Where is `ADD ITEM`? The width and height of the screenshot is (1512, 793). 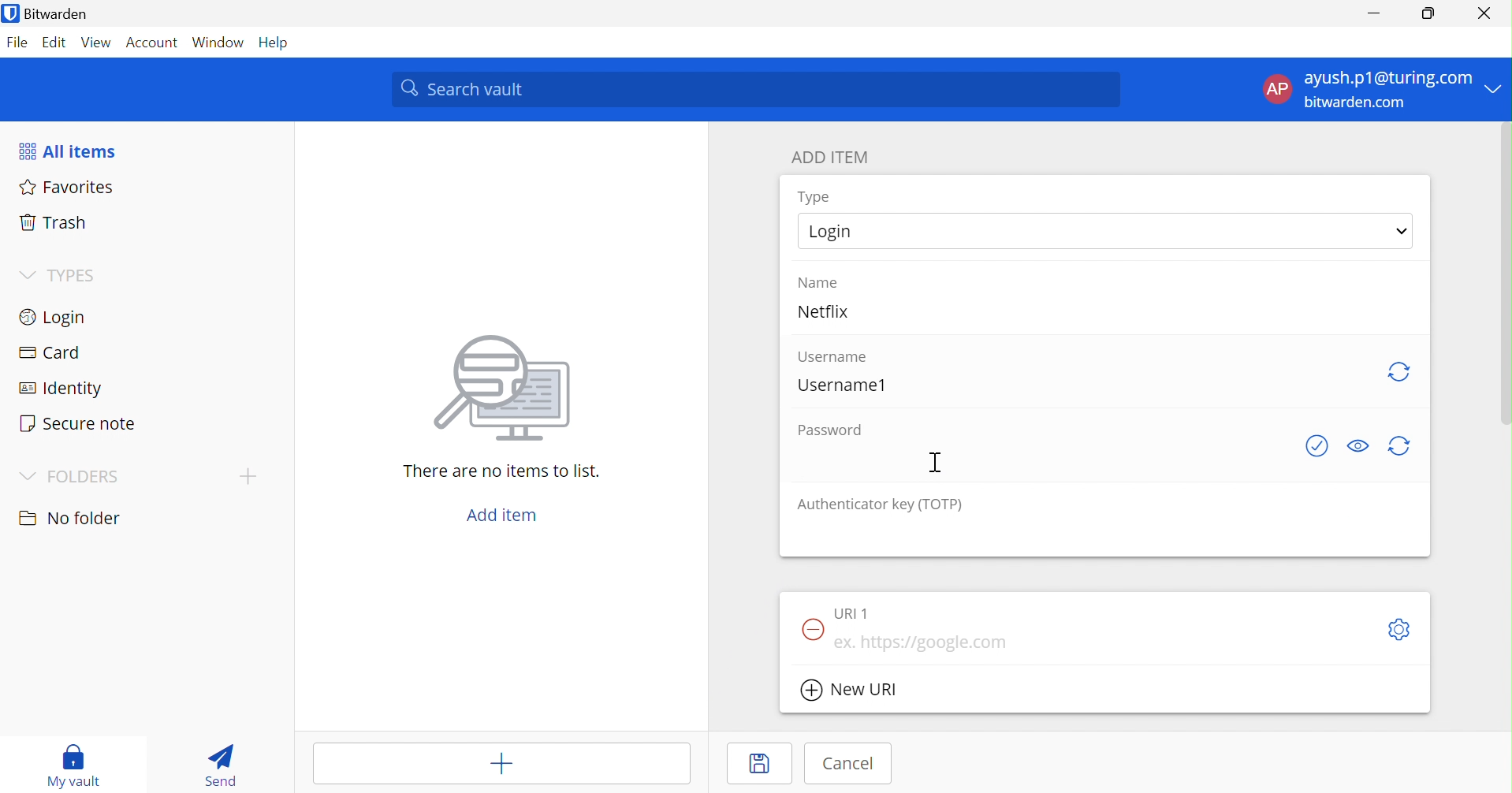
ADD ITEM is located at coordinates (829, 157).